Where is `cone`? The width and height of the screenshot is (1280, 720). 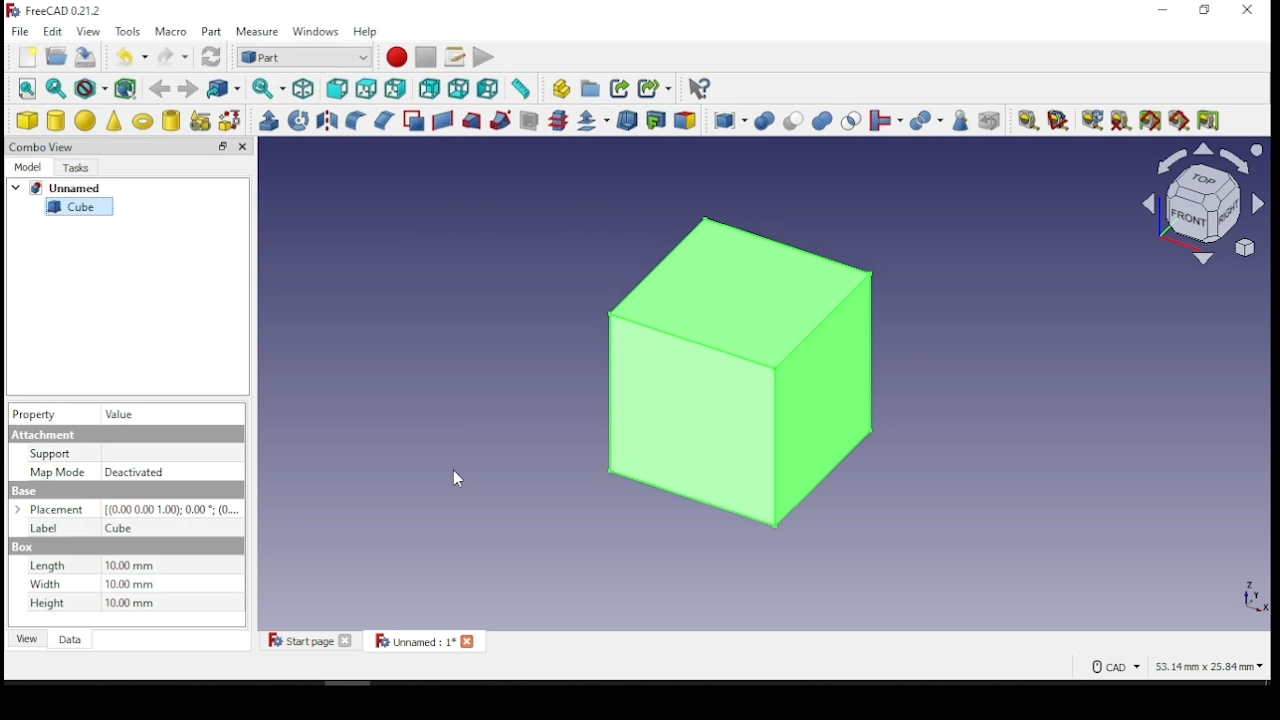 cone is located at coordinates (115, 120).